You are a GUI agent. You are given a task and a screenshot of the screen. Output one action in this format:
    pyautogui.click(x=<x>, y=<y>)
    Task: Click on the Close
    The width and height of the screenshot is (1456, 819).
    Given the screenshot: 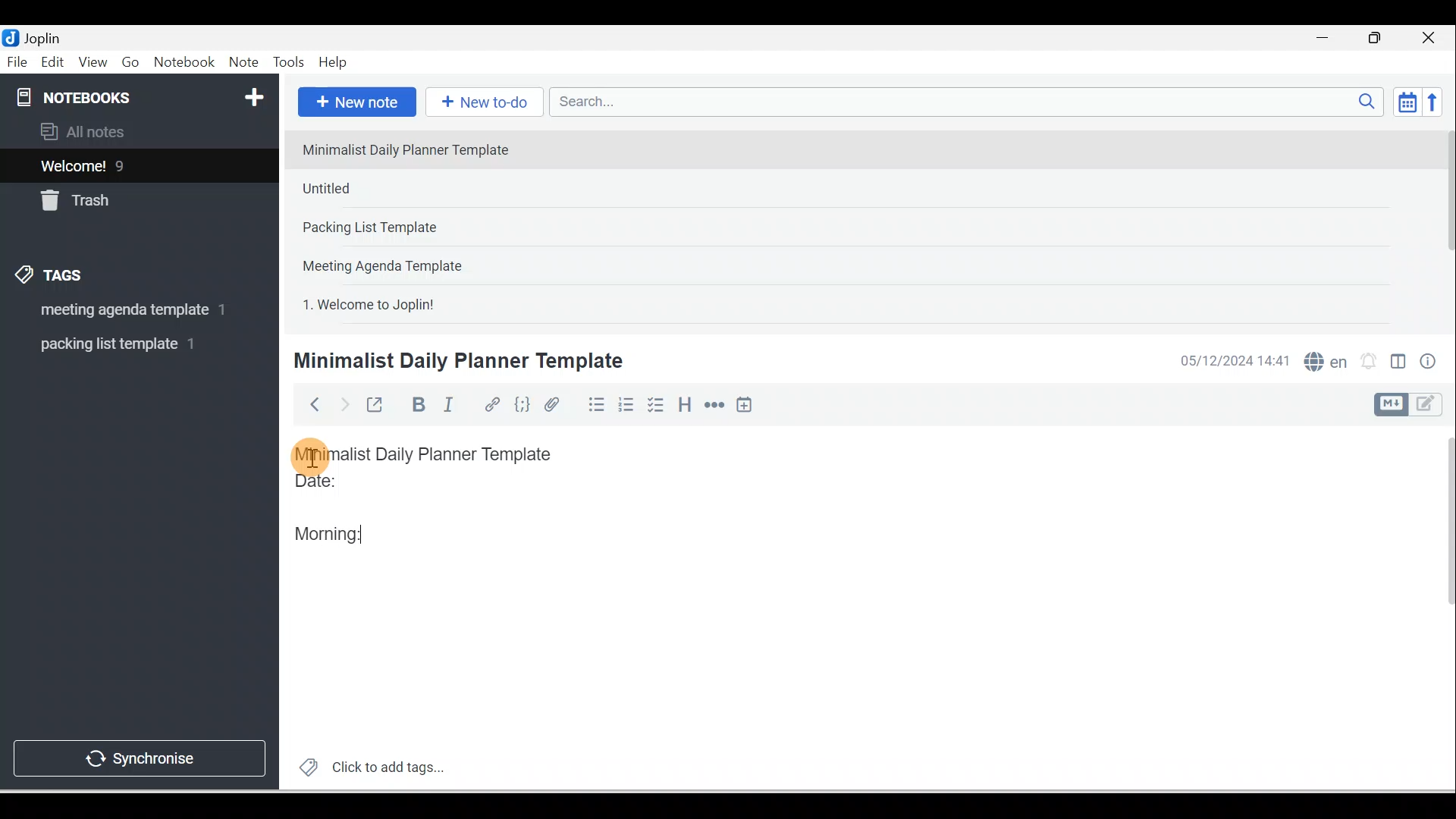 What is the action you would take?
    pyautogui.click(x=1432, y=38)
    